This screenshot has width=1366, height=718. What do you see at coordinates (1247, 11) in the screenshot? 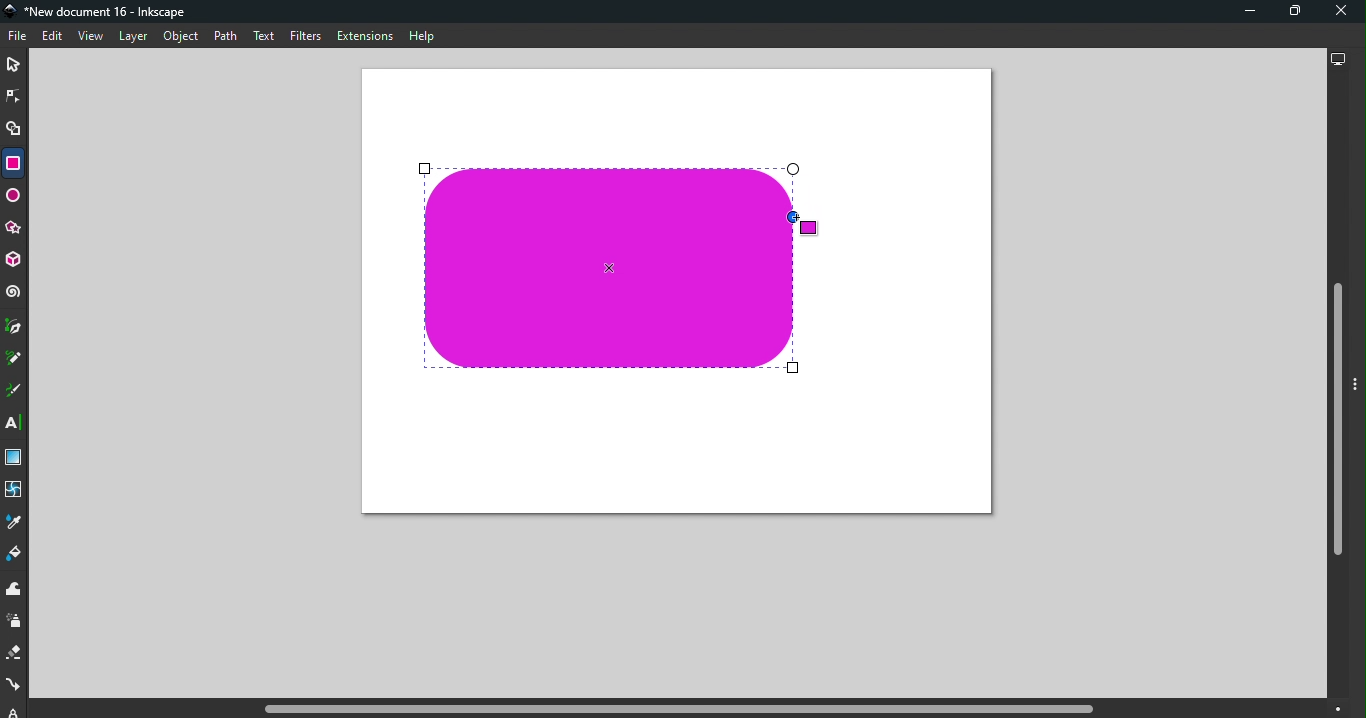
I see `Minimize` at bounding box center [1247, 11].